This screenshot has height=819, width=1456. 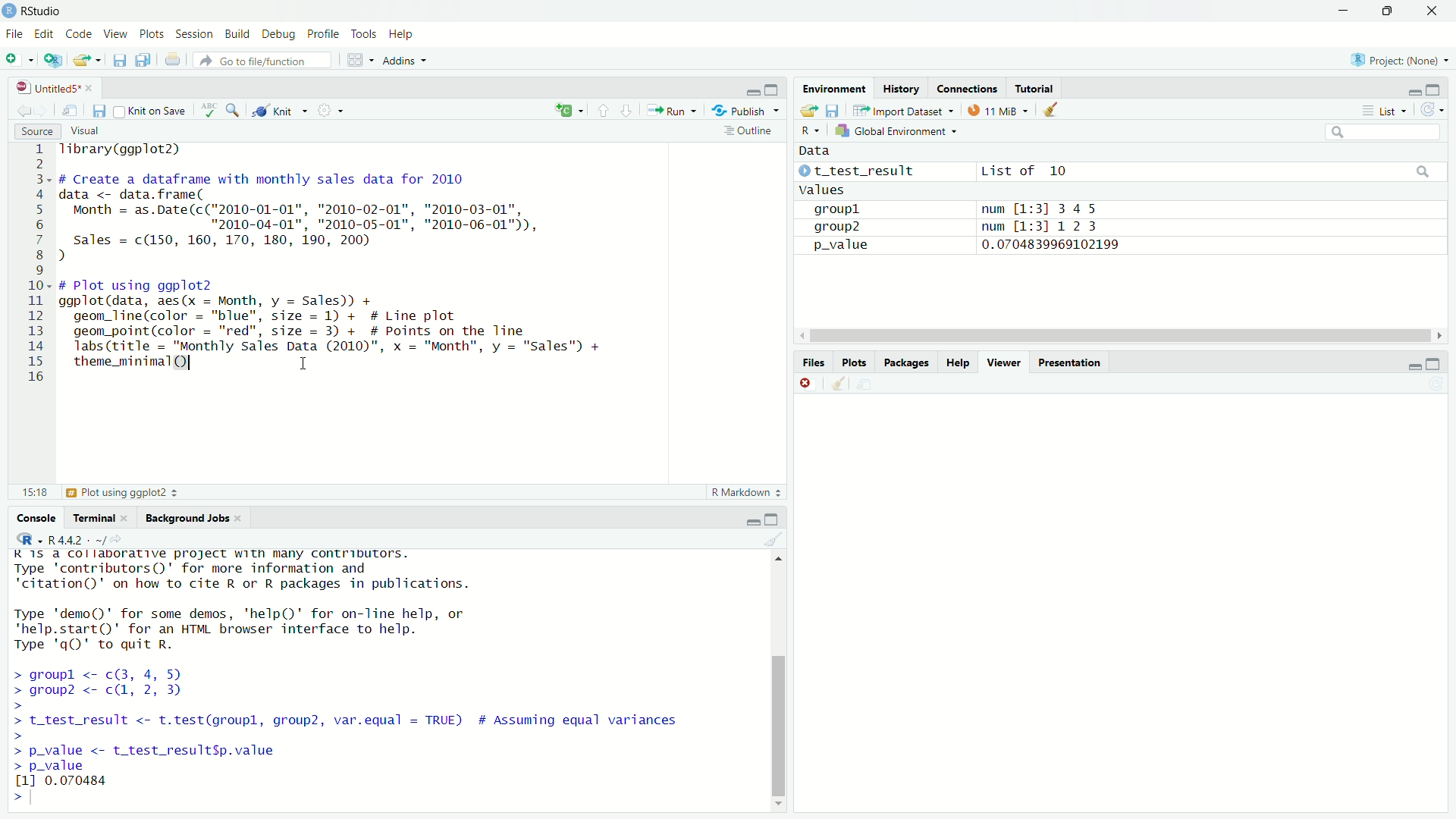 I want to click on Tutorial, so click(x=1035, y=86).